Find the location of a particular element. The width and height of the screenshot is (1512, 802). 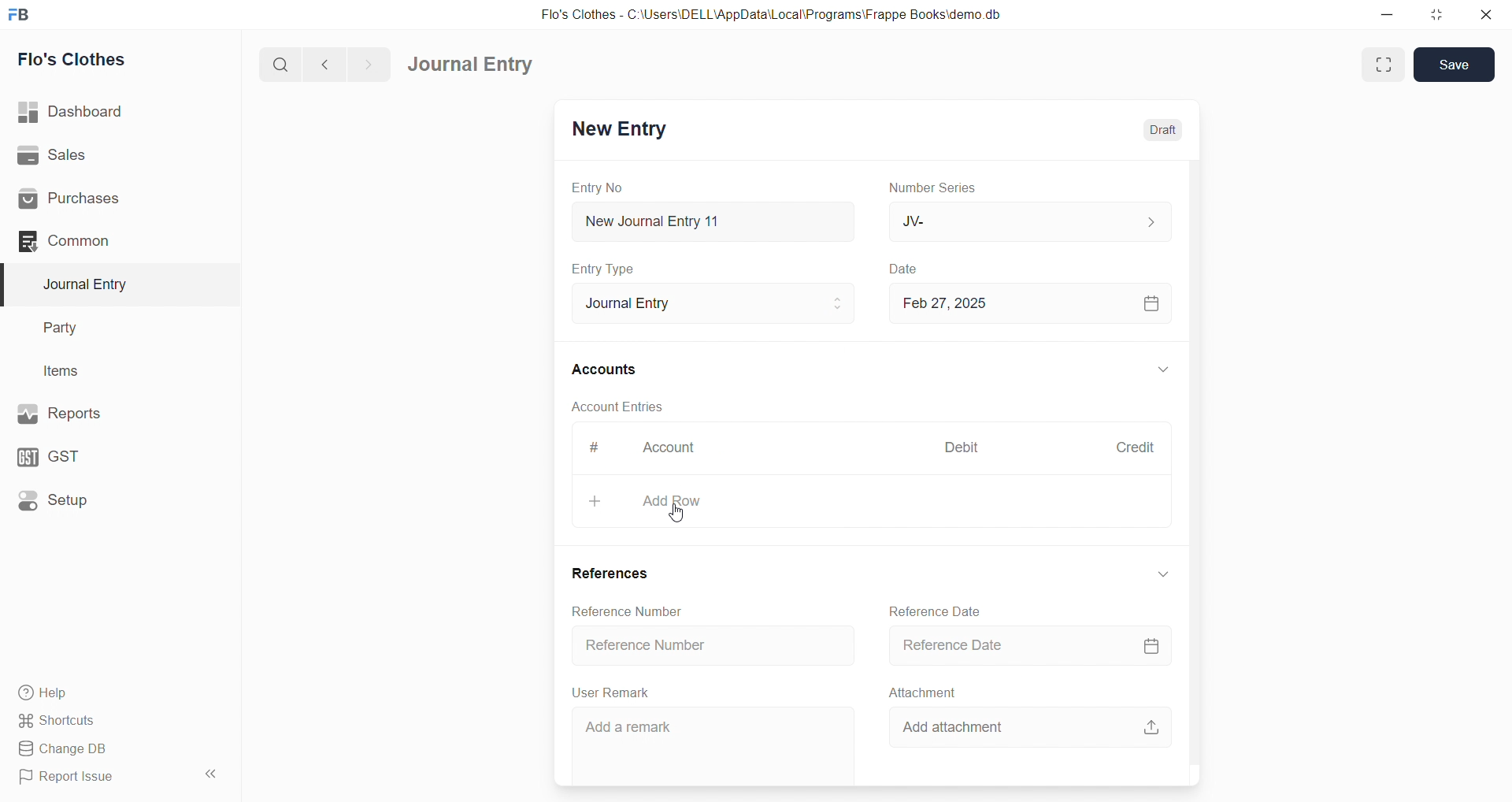

Report Issue is located at coordinates (94, 780).